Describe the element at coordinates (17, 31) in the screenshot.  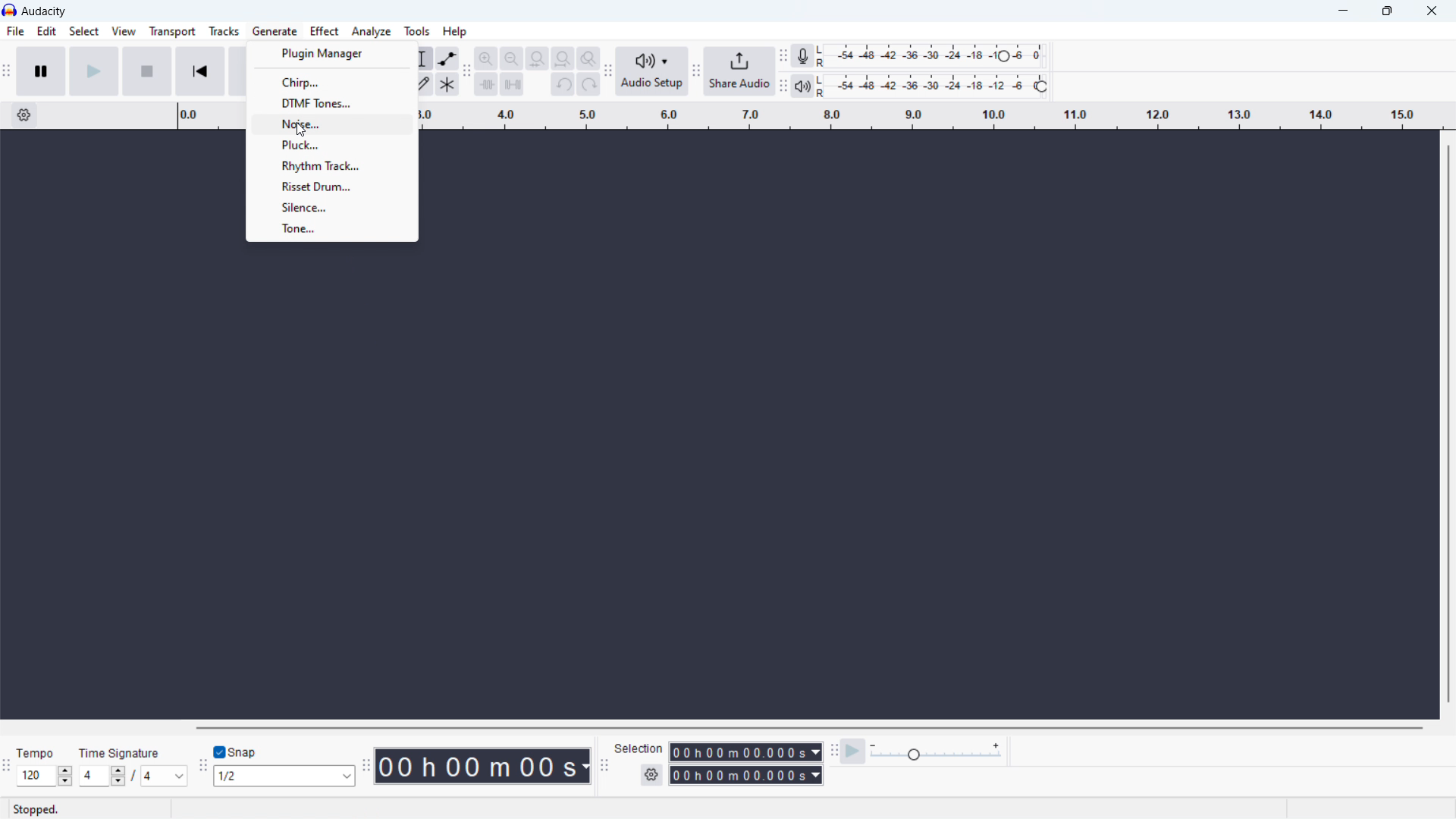
I see `File` at that location.